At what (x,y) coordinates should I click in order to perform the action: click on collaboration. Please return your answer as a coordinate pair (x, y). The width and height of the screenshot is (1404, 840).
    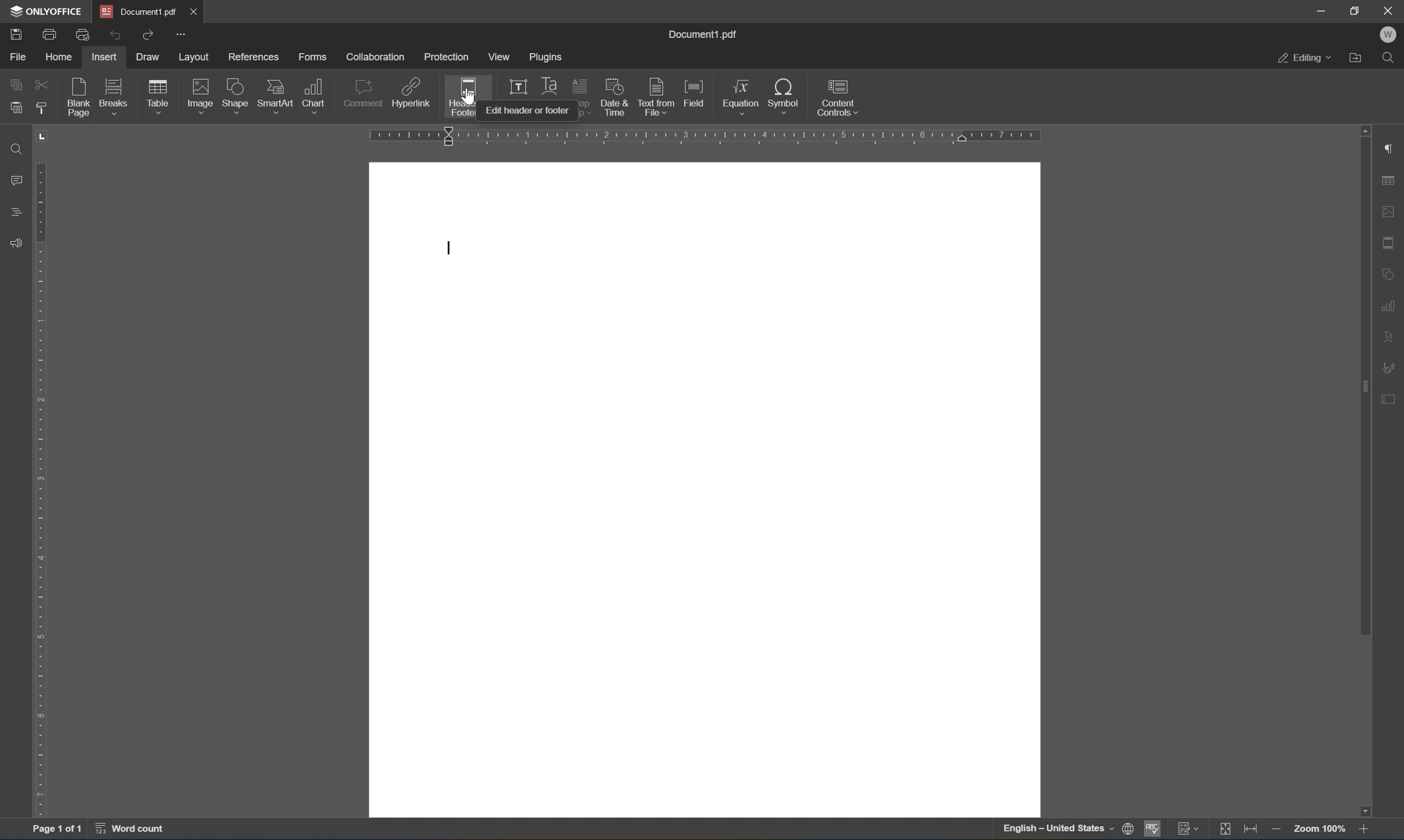
    Looking at the image, I should click on (376, 57).